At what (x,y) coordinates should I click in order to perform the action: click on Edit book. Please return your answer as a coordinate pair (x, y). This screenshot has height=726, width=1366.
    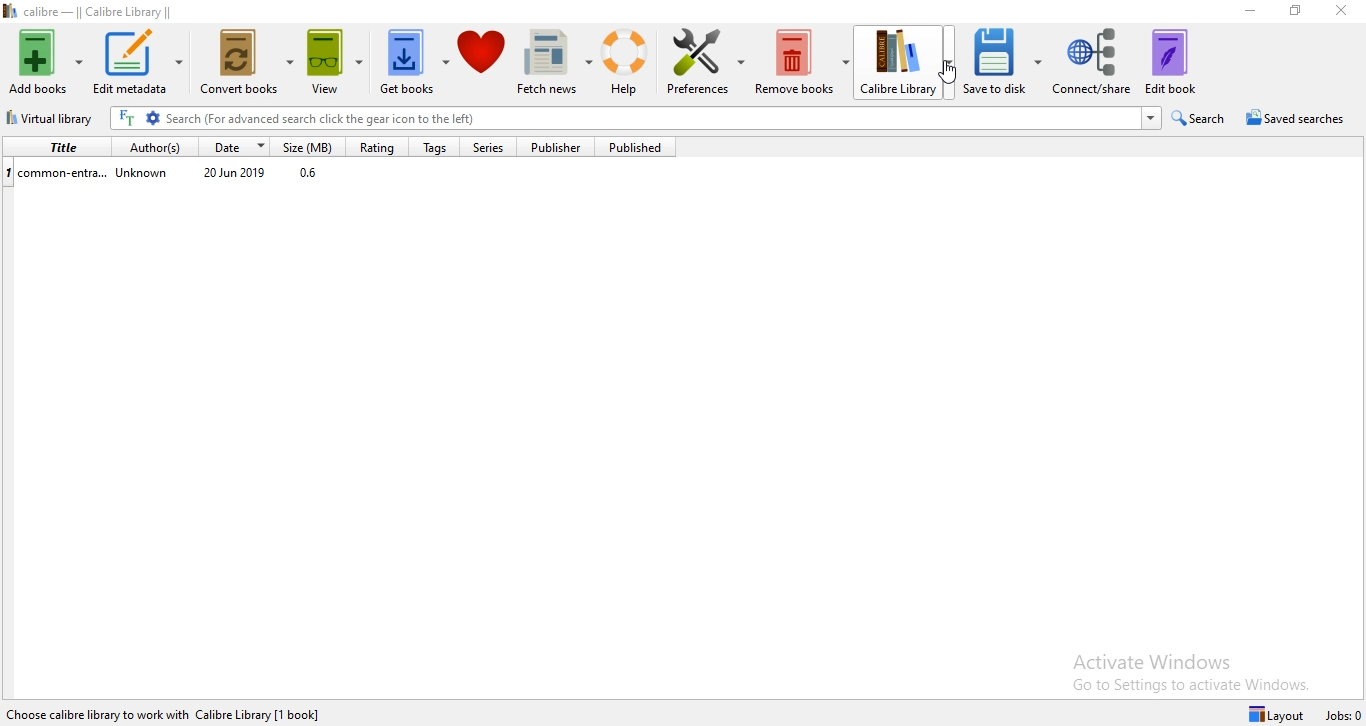
    Looking at the image, I should click on (1181, 60).